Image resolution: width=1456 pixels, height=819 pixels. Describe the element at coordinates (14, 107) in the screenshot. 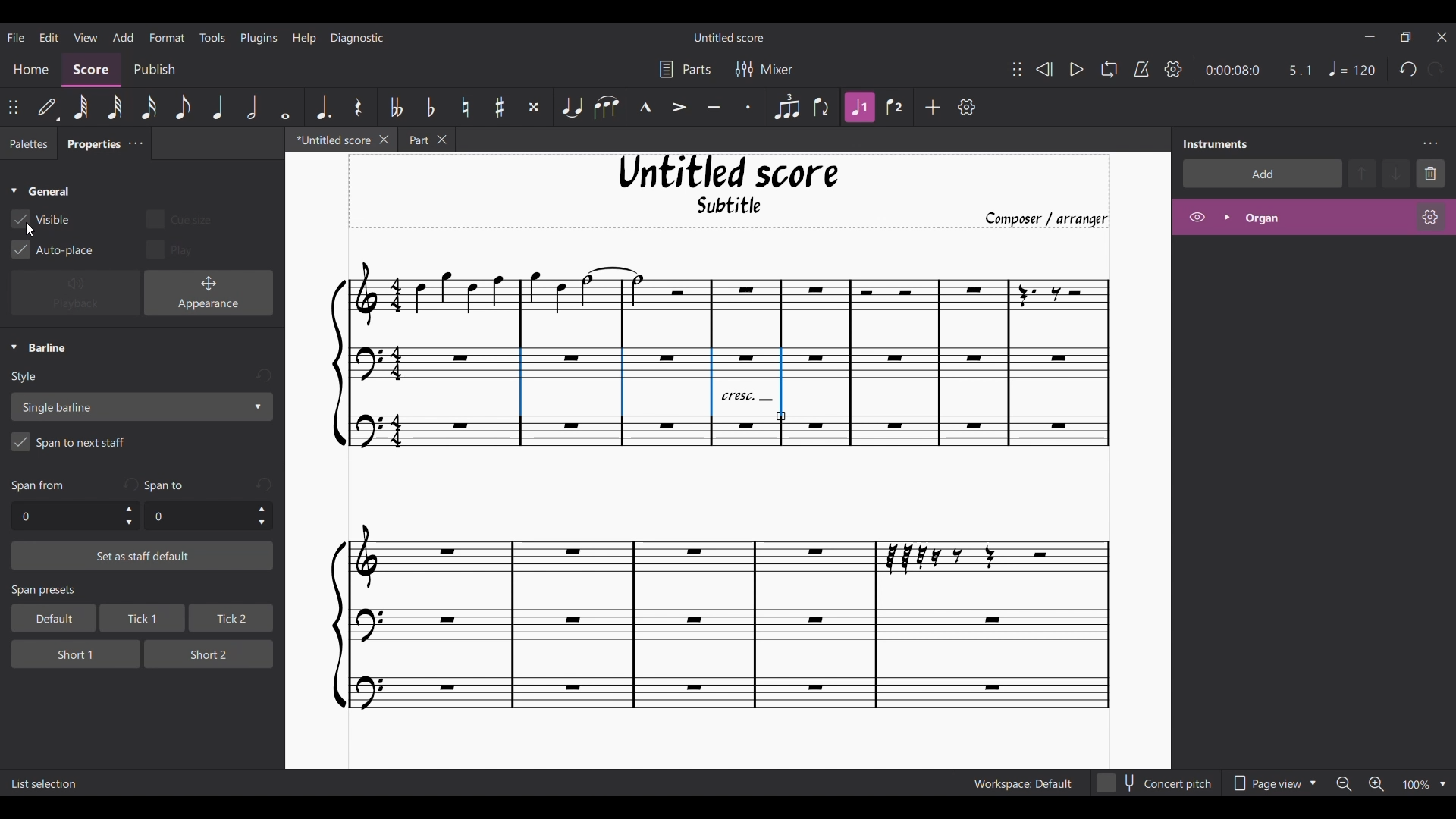

I see `Change position of toolbar attached` at that location.